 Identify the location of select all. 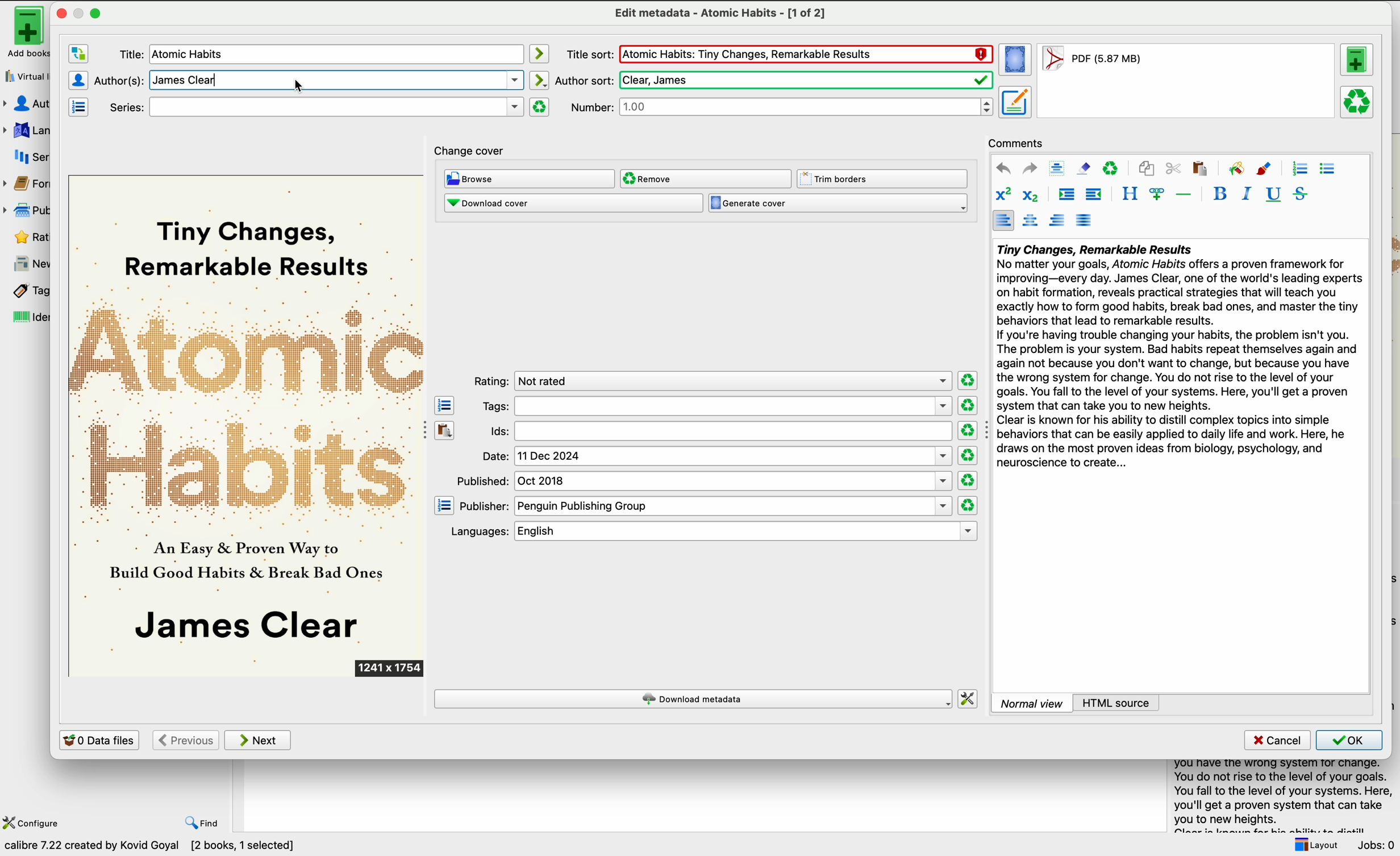
(1057, 168).